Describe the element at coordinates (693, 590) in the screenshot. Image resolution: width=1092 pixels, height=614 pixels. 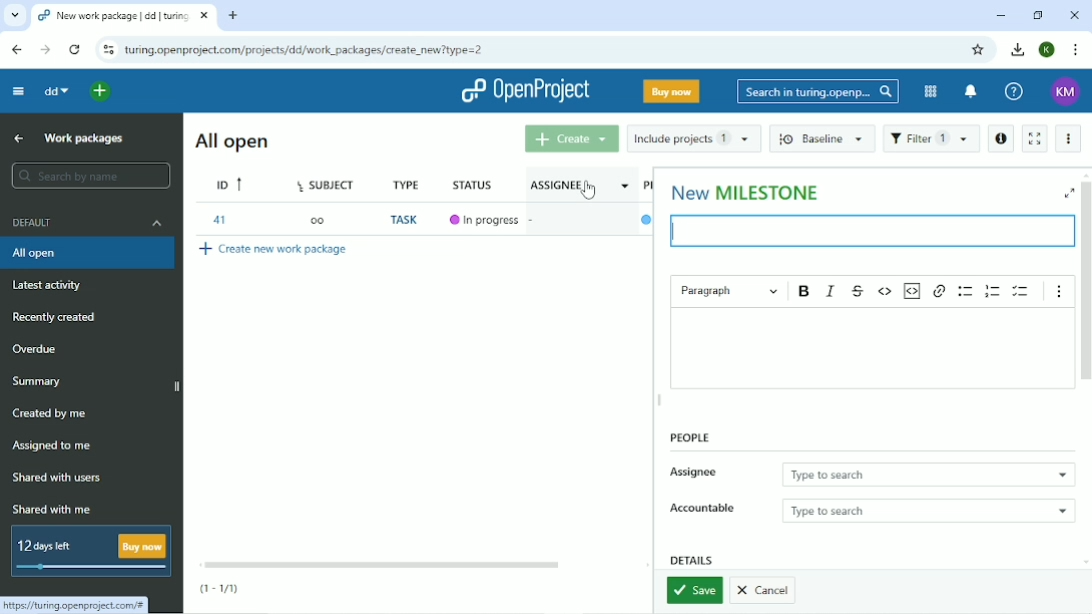
I see `Save` at that location.